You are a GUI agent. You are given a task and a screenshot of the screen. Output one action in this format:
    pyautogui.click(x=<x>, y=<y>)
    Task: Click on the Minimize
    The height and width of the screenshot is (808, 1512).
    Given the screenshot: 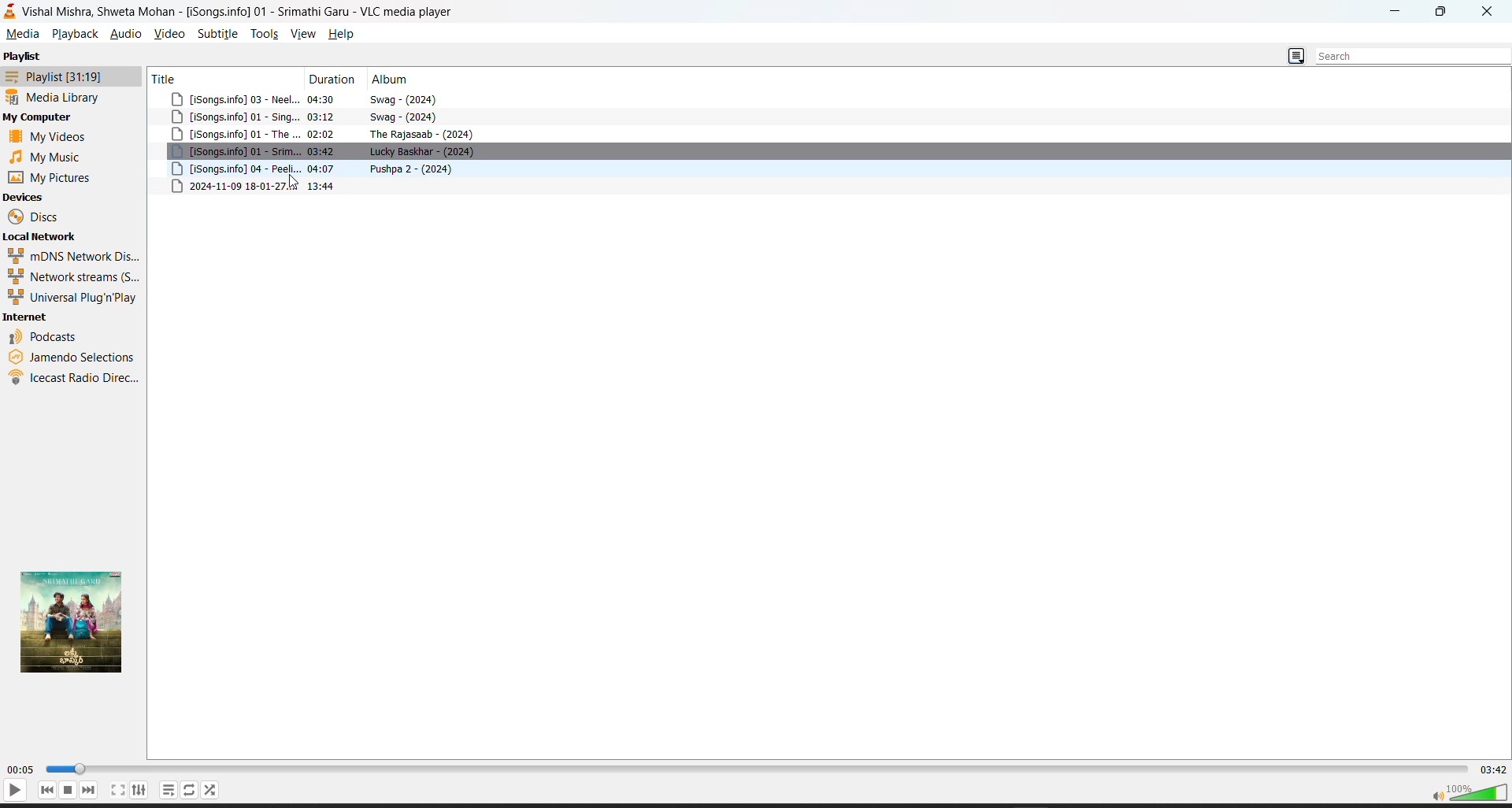 What is the action you would take?
    pyautogui.click(x=1395, y=11)
    